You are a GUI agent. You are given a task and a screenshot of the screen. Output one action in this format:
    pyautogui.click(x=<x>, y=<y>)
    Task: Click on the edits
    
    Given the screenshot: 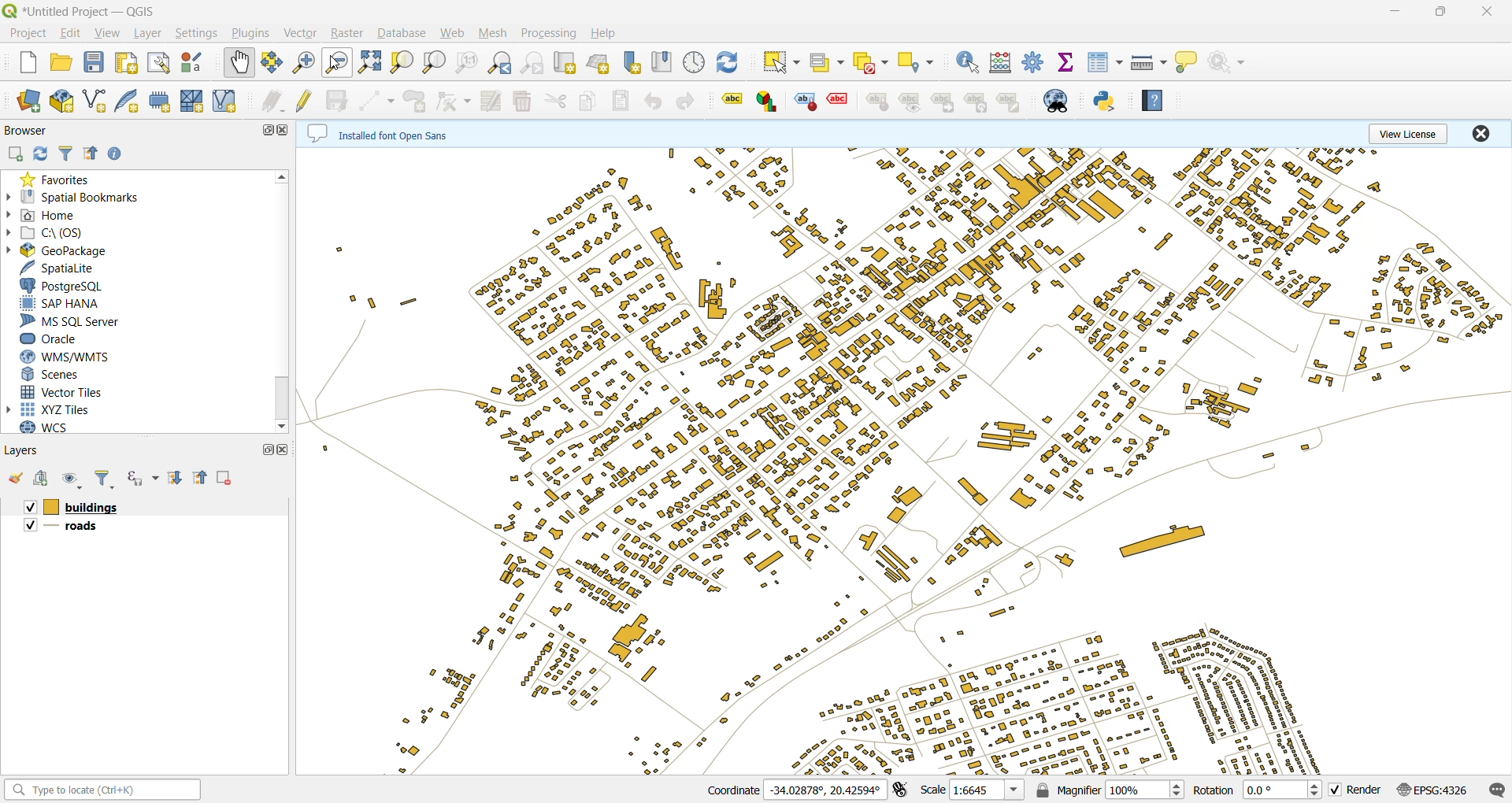 What is the action you would take?
    pyautogui.click(x=272, y=100)
    